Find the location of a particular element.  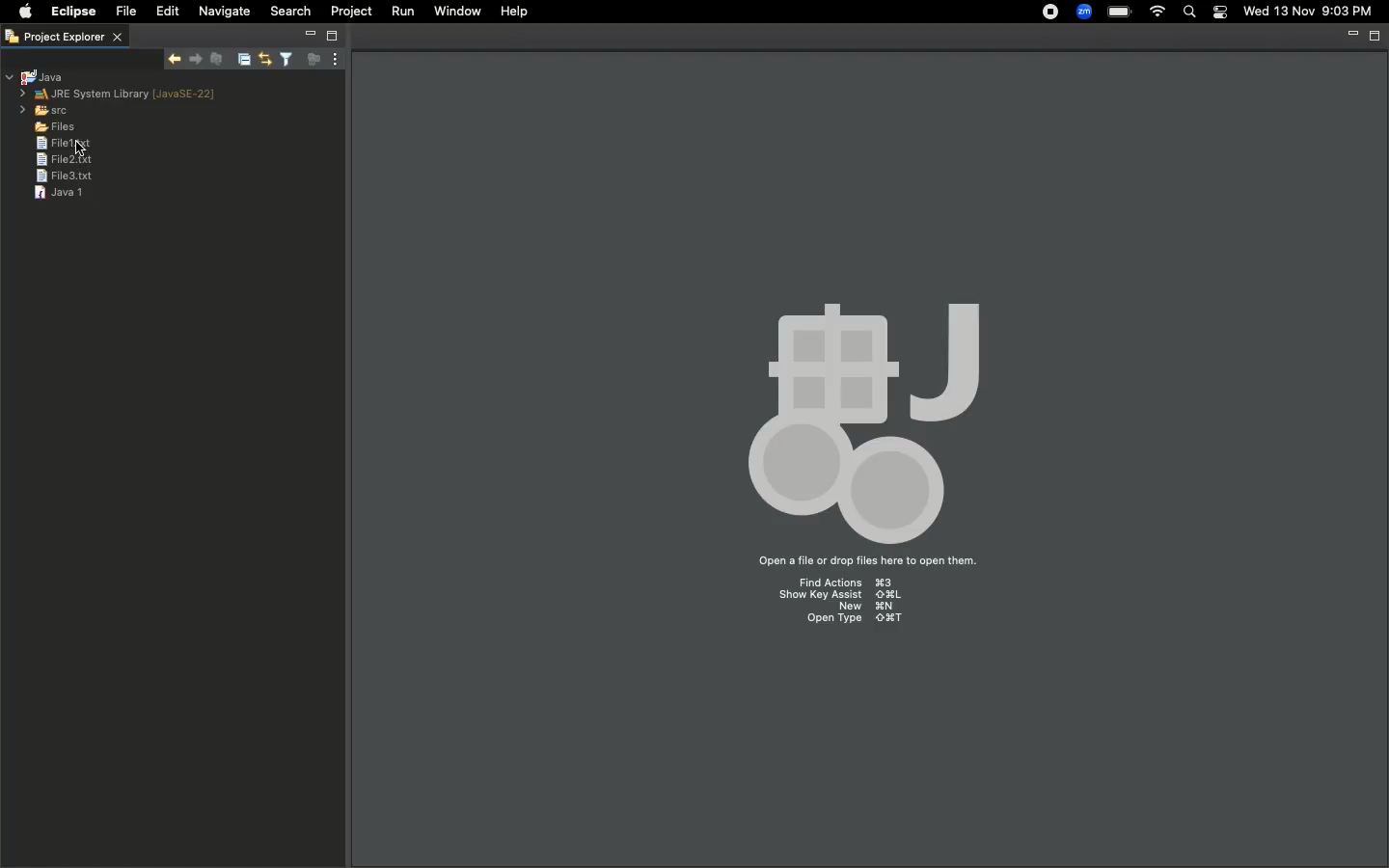

Remove selected matches is located at coordinates (216, 58).